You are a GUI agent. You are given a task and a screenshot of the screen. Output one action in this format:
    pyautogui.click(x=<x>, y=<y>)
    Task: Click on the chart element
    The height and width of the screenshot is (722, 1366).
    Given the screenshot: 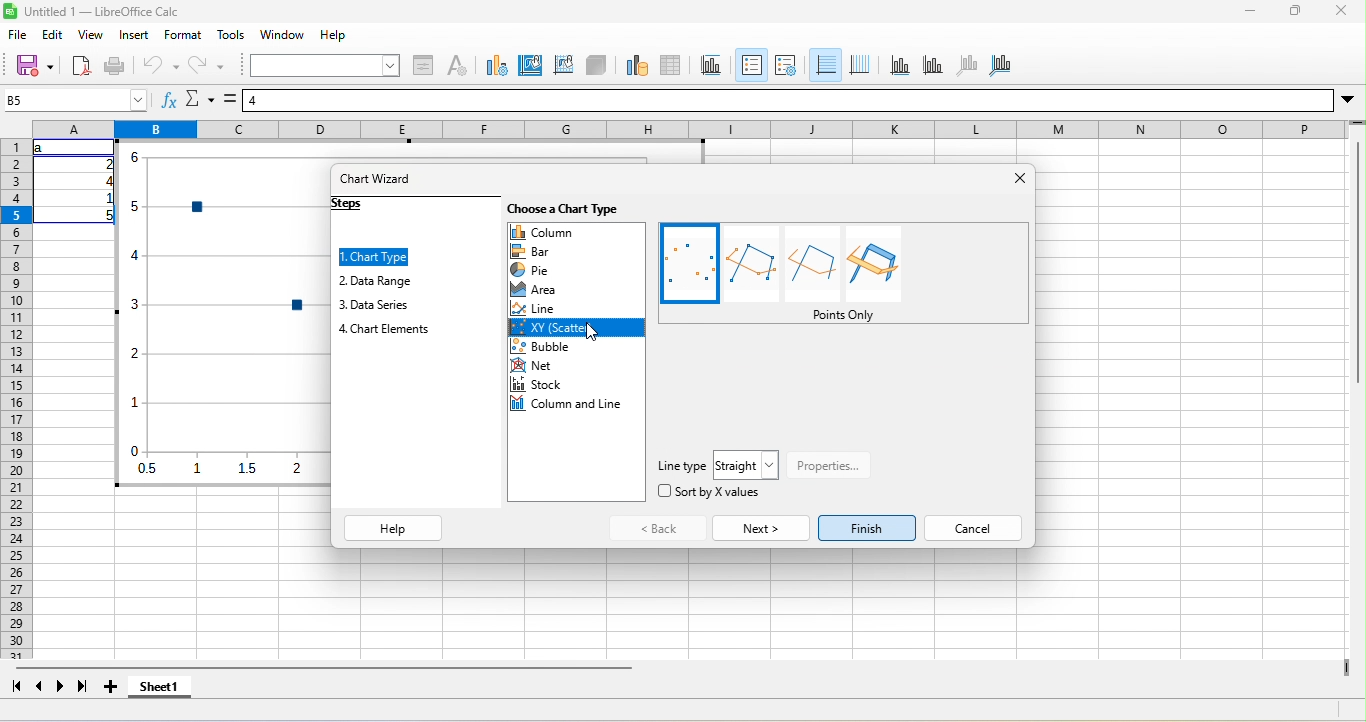 What is the action you would take?
    pyautogui.click(x=385, y=329)
    